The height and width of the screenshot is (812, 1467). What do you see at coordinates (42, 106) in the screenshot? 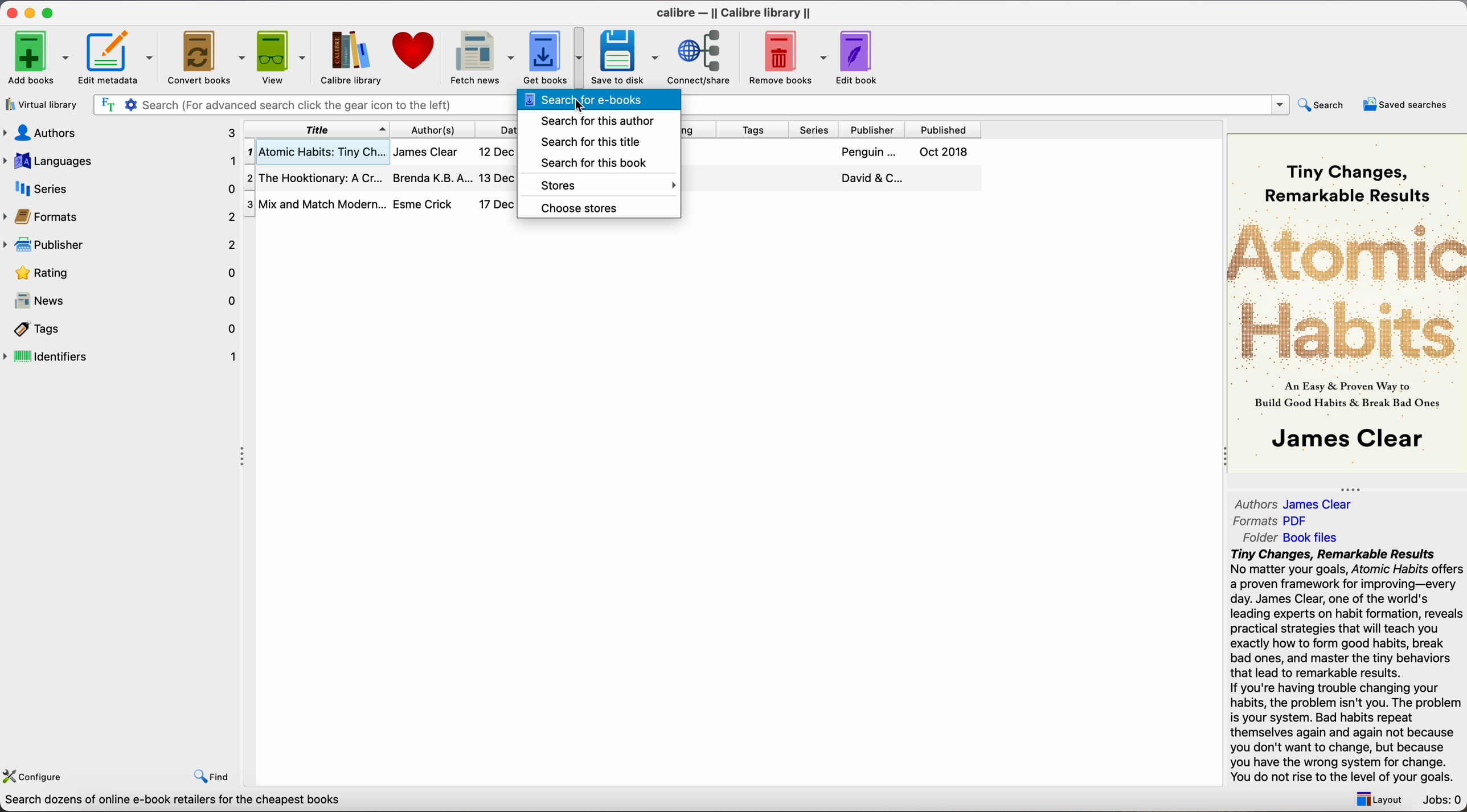
I see `virtual library` at bounding box center [42, 106].